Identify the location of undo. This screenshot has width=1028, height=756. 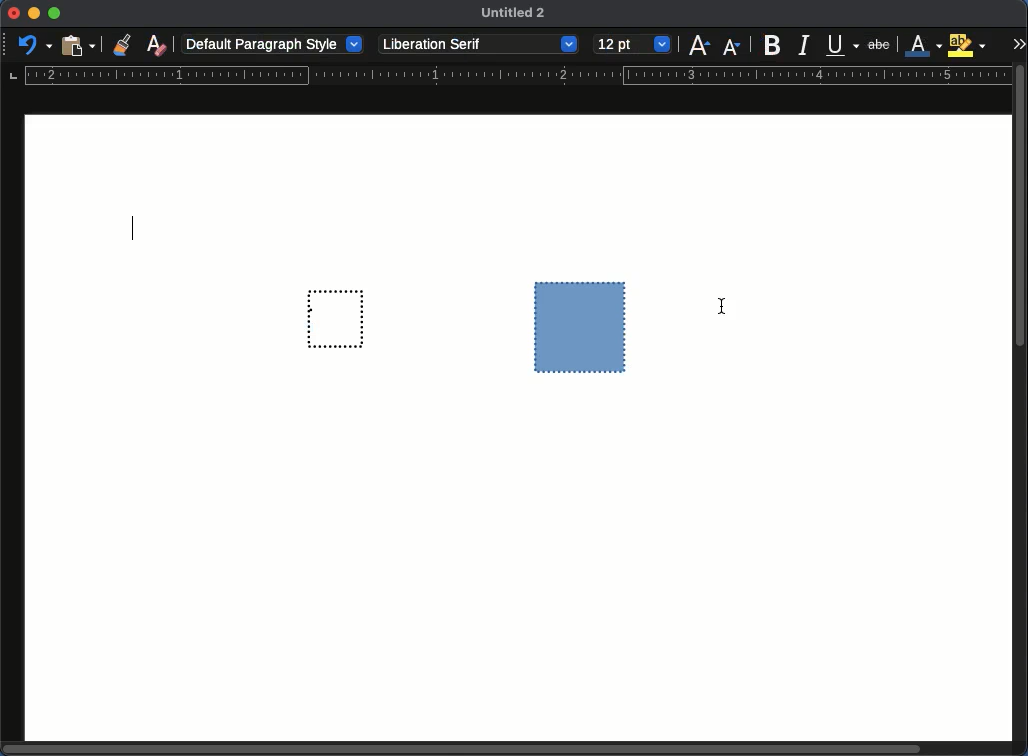
(35, 45).